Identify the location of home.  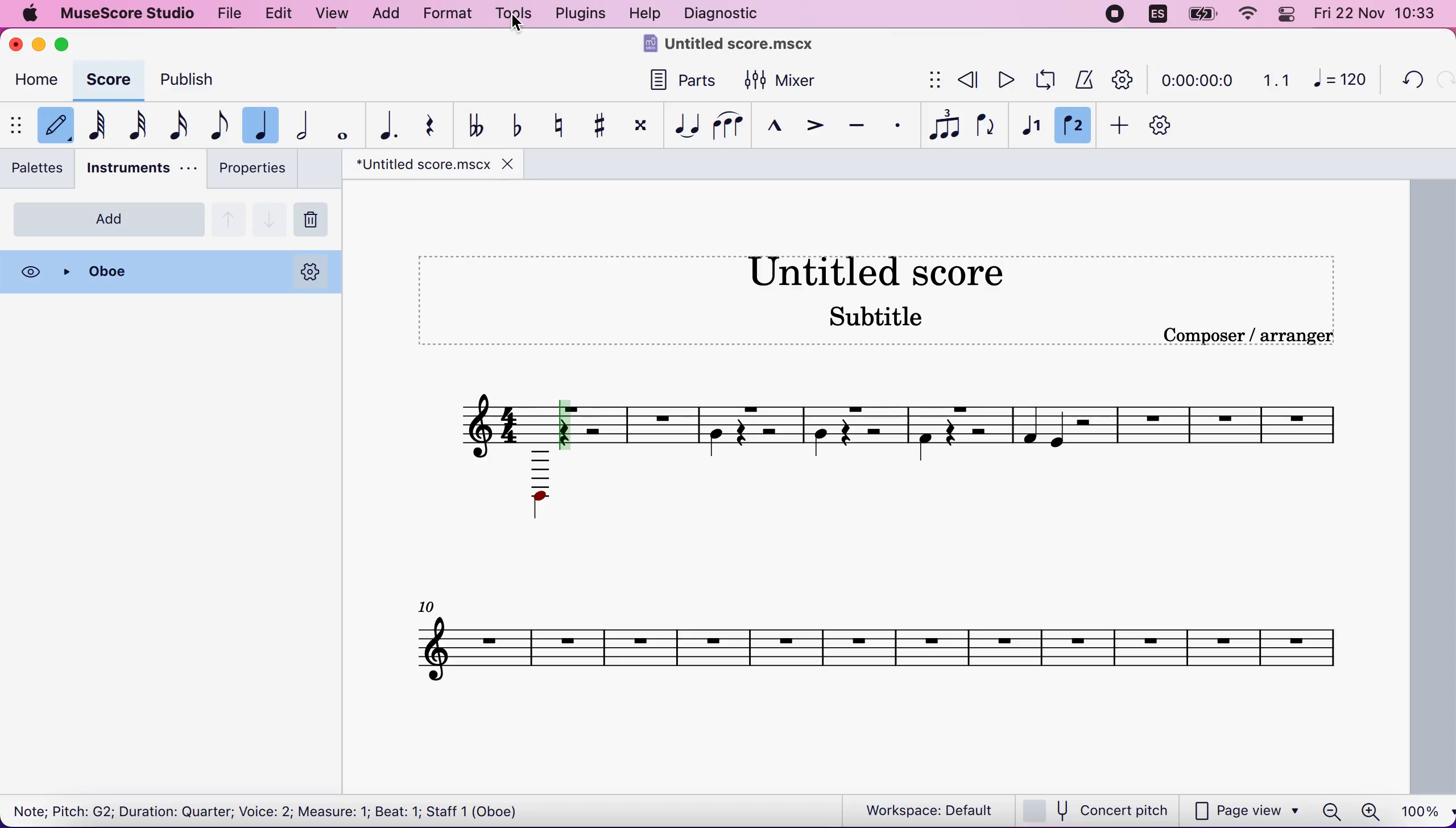
(38, 80).